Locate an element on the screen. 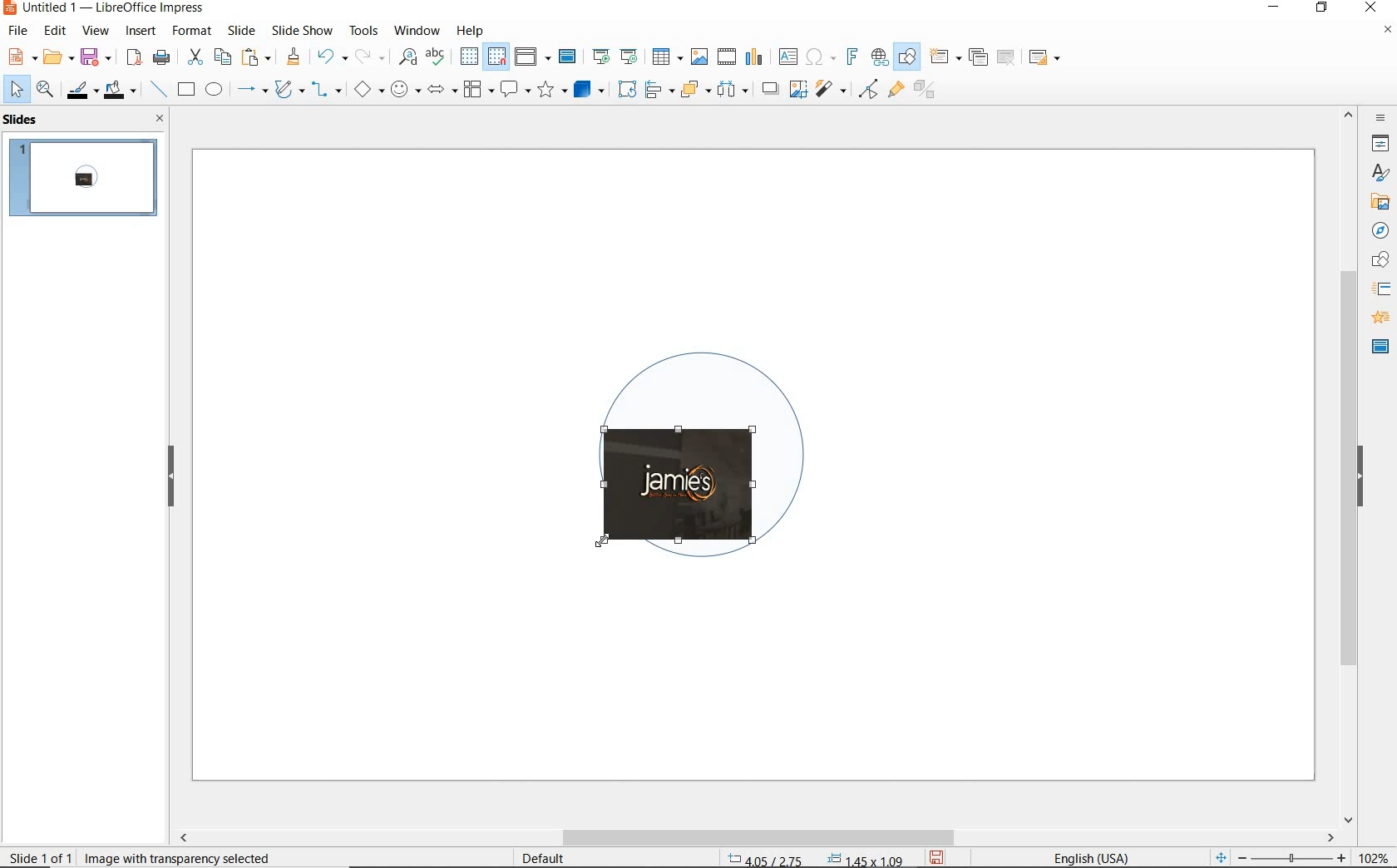 This screenshot has height=868, width=1397. show draw functions is located at coordinates (907, 57).